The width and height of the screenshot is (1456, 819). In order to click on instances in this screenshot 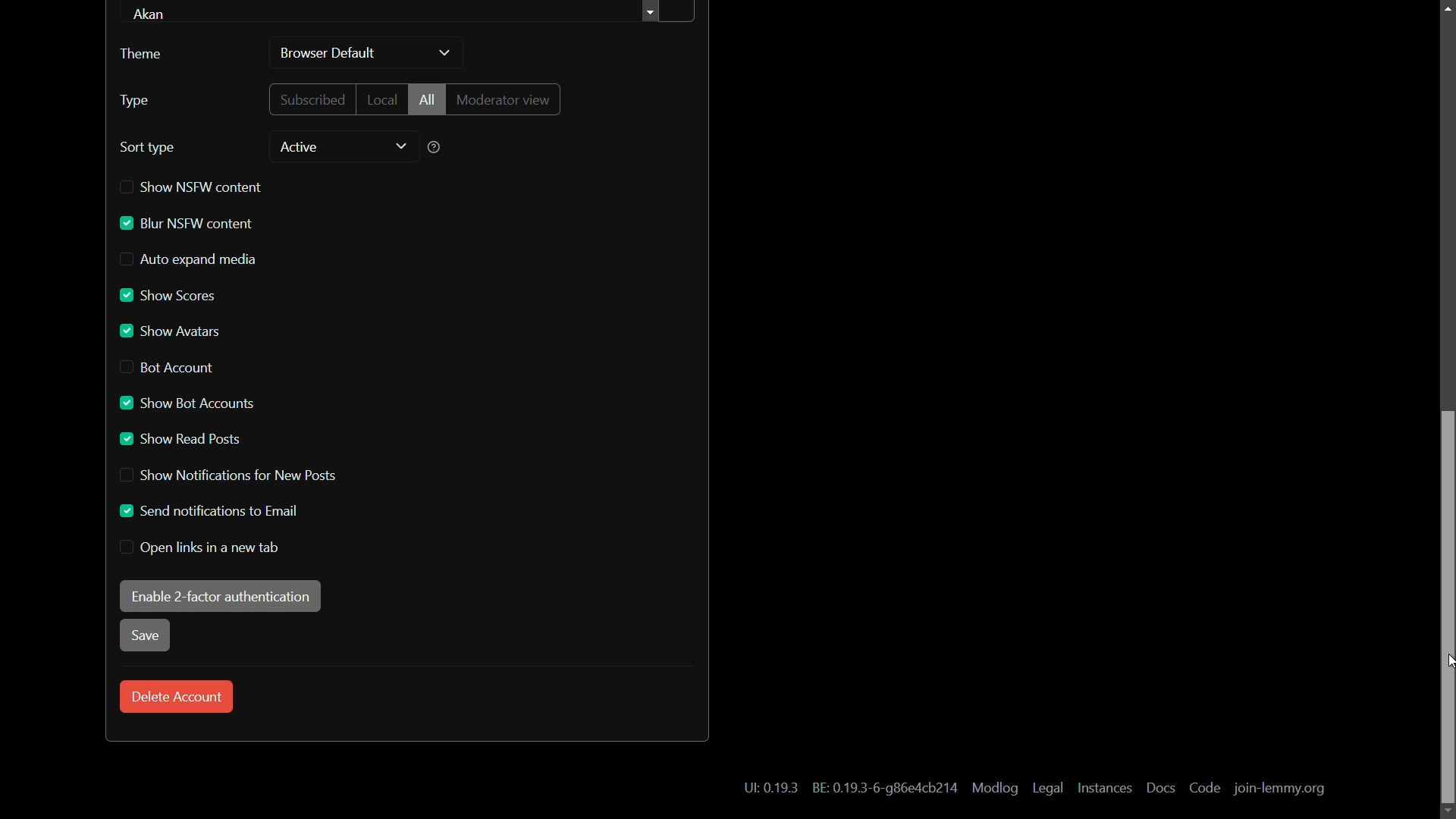, I will do `click(1106, 788)`.